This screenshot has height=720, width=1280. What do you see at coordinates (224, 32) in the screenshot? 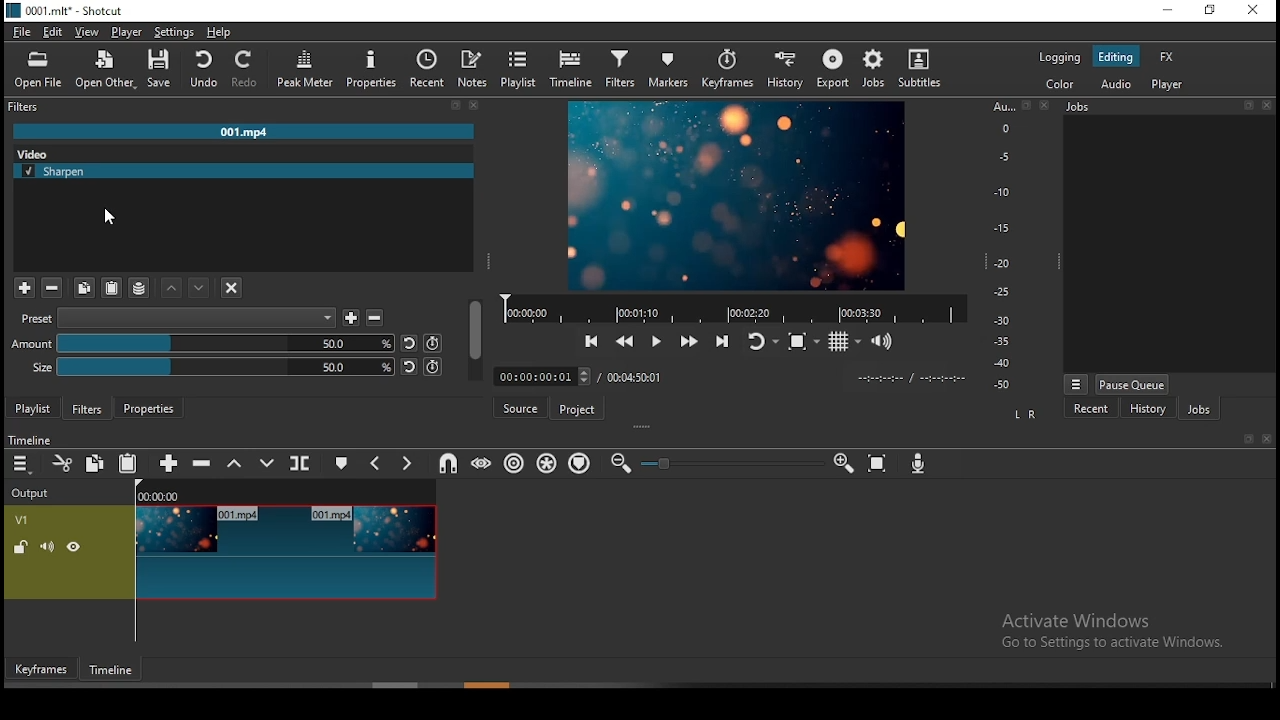
I see `help` at bounding box center [224, 32].